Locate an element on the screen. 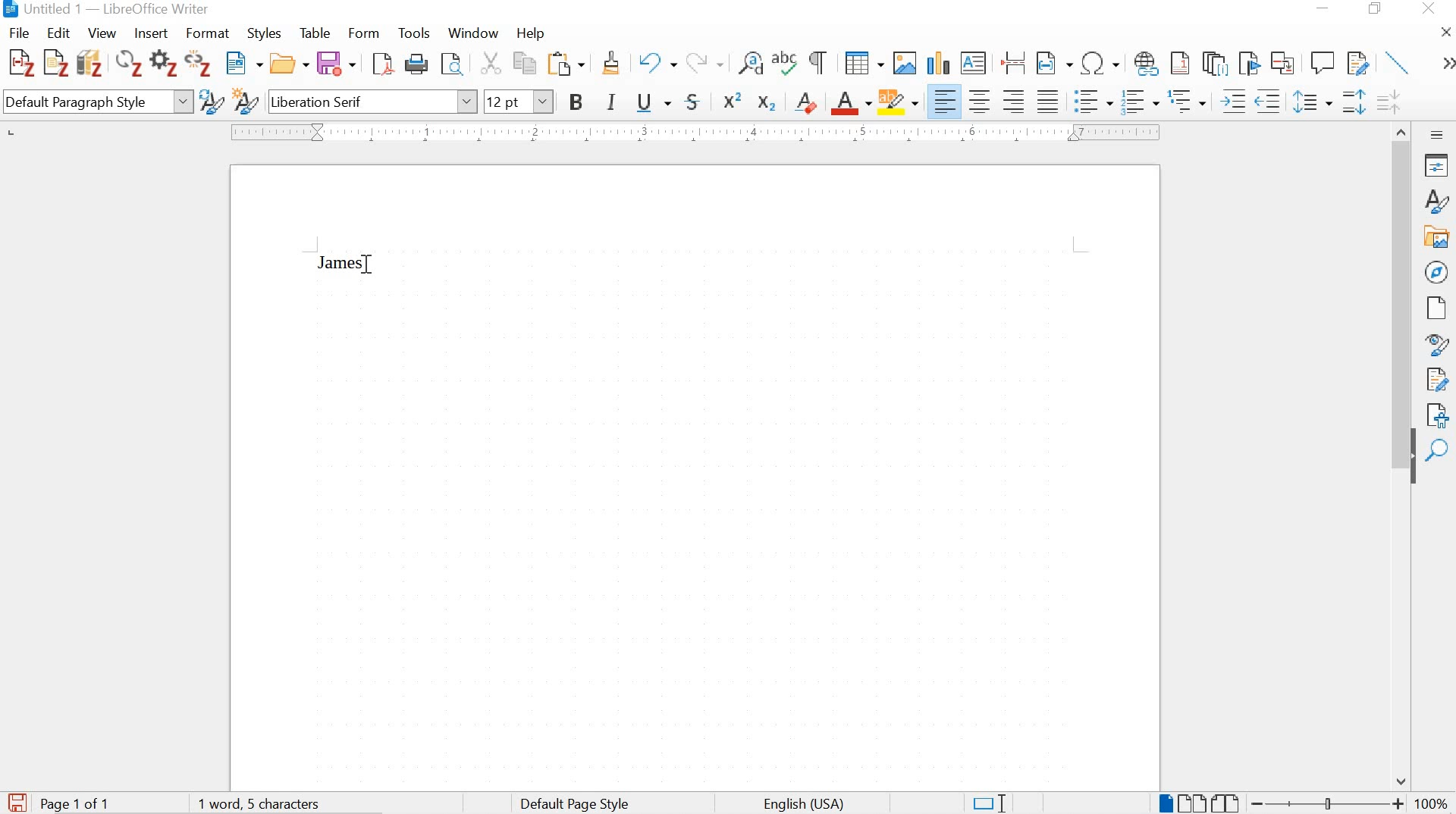 The image size is (1456, 814). refresh is located at coordinates (127, 65).